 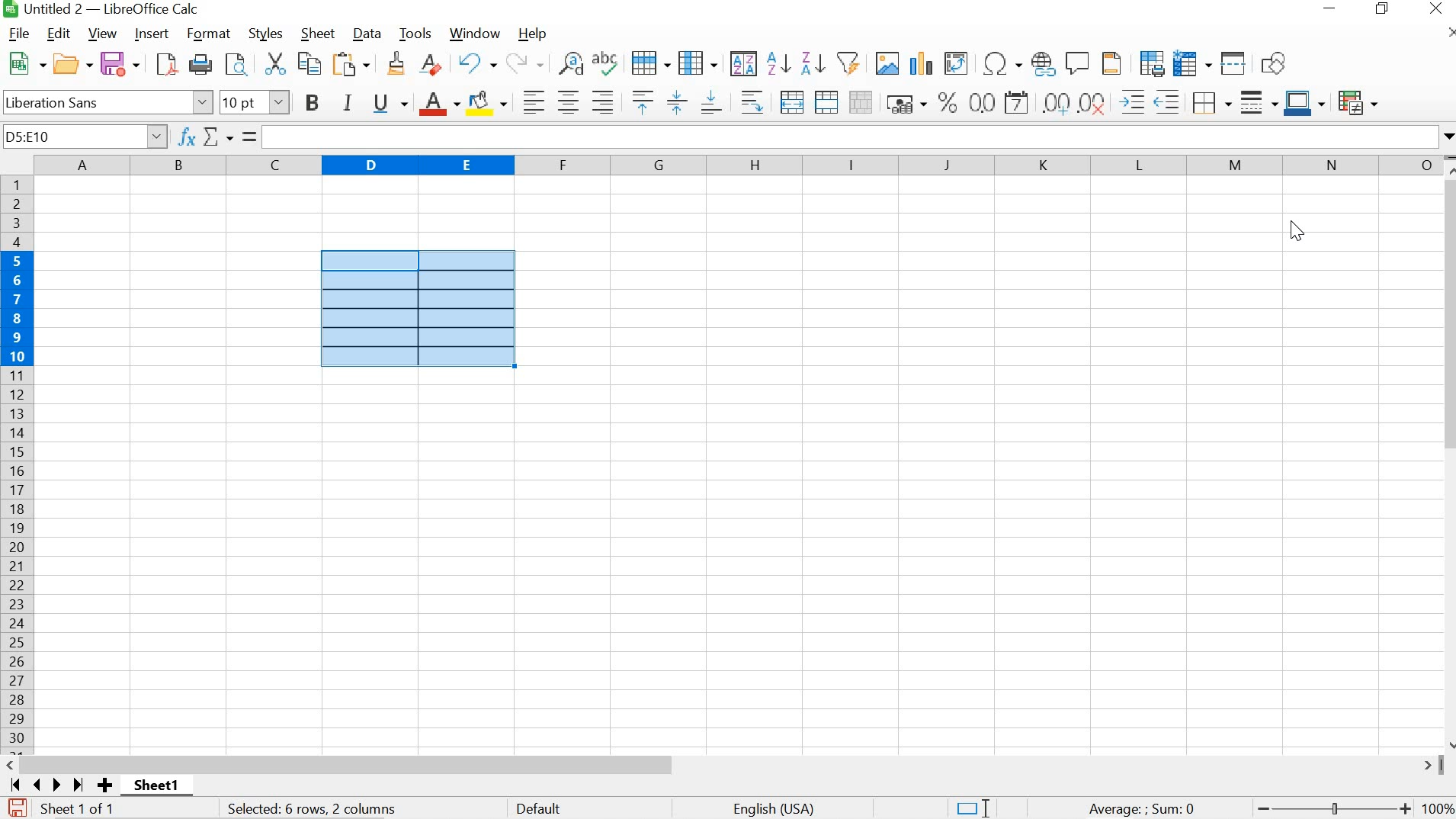 I want to click on split window, so click(x=1234, y=64).